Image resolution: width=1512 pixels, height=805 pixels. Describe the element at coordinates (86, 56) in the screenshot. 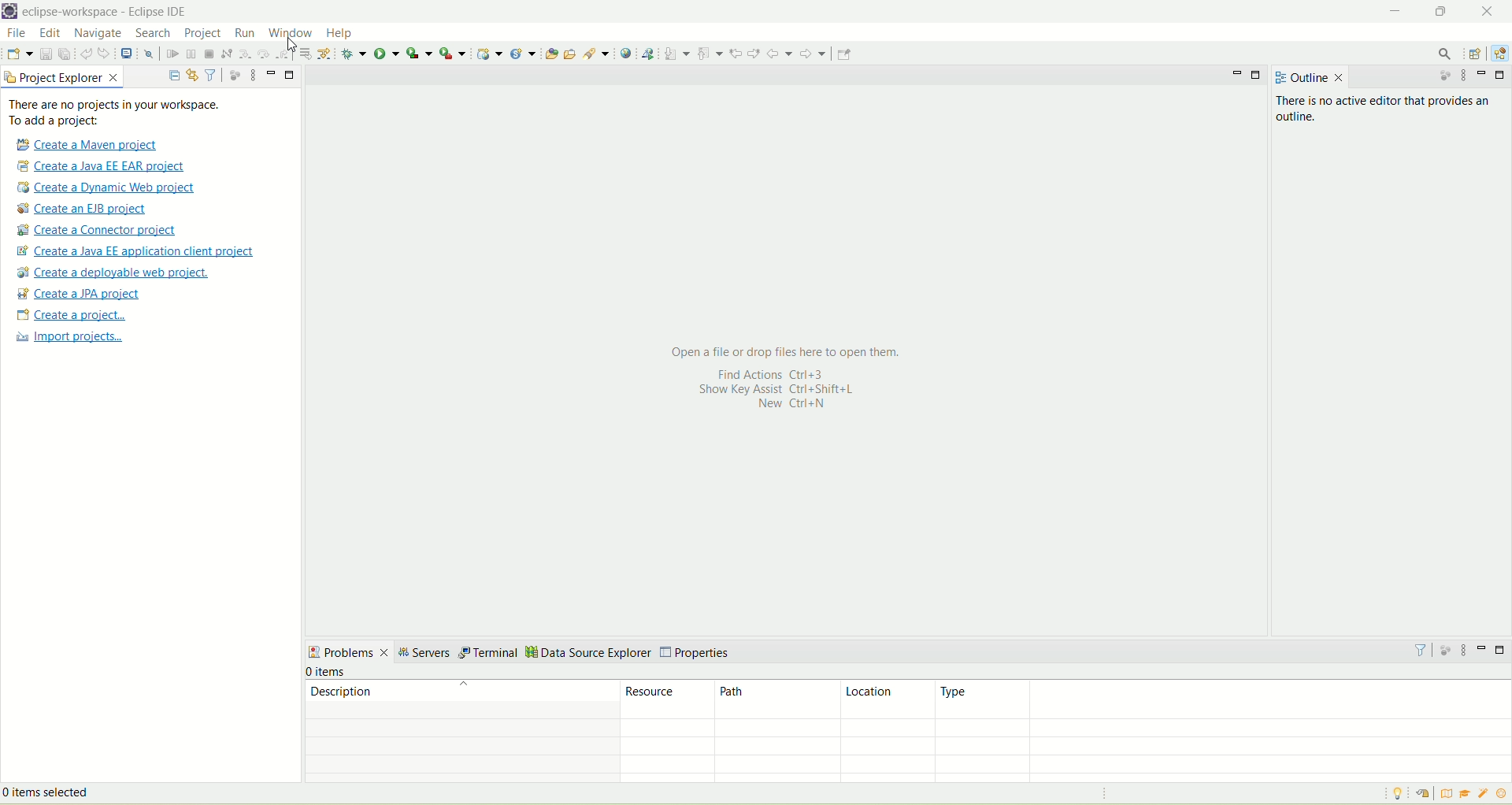

I see `undo` at that location.